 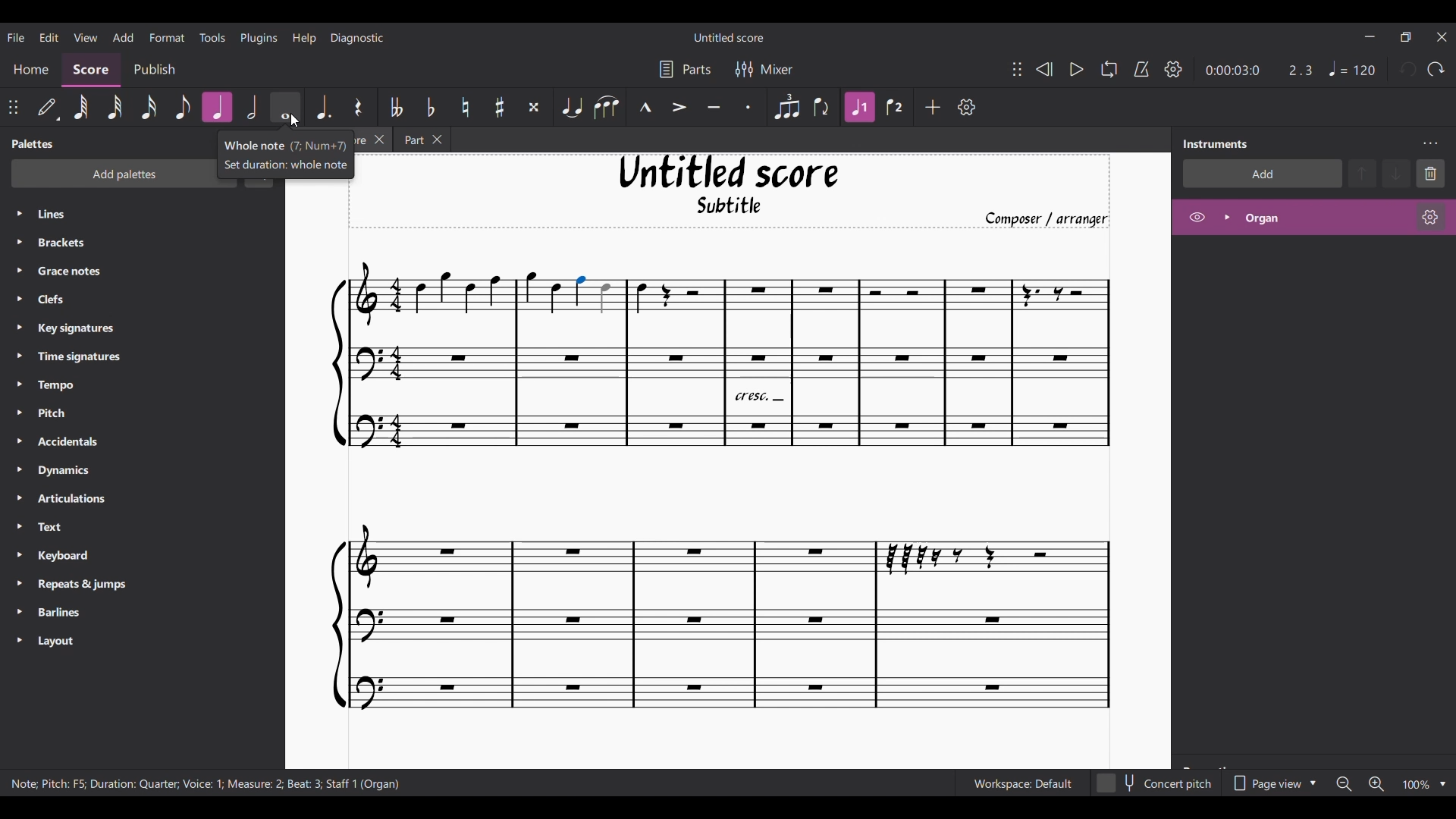 I want to click on Add palette, so click(x=105, y=175).